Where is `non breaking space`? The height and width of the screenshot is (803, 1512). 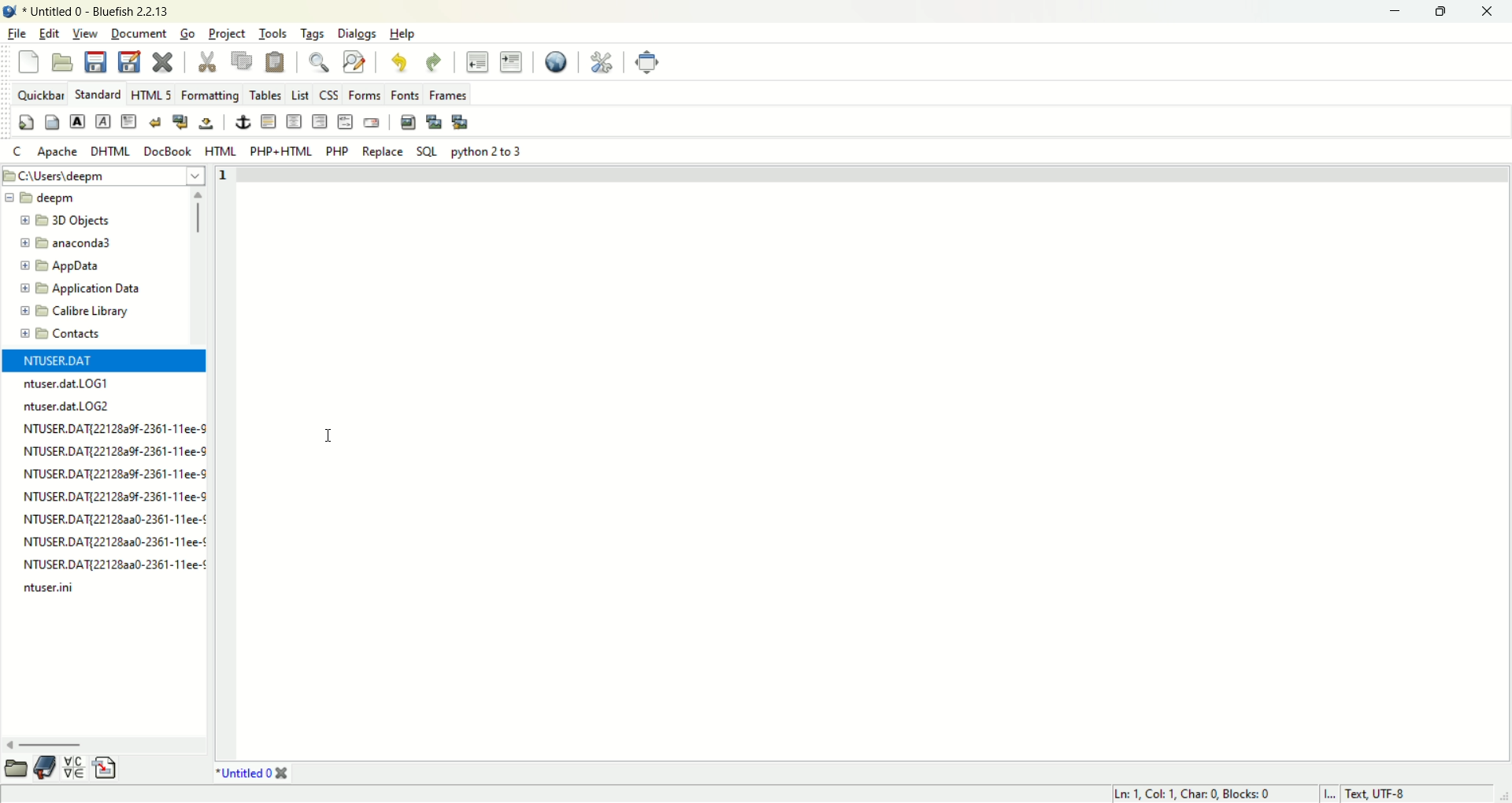 non breaking space is located at coordinates (206, 125).